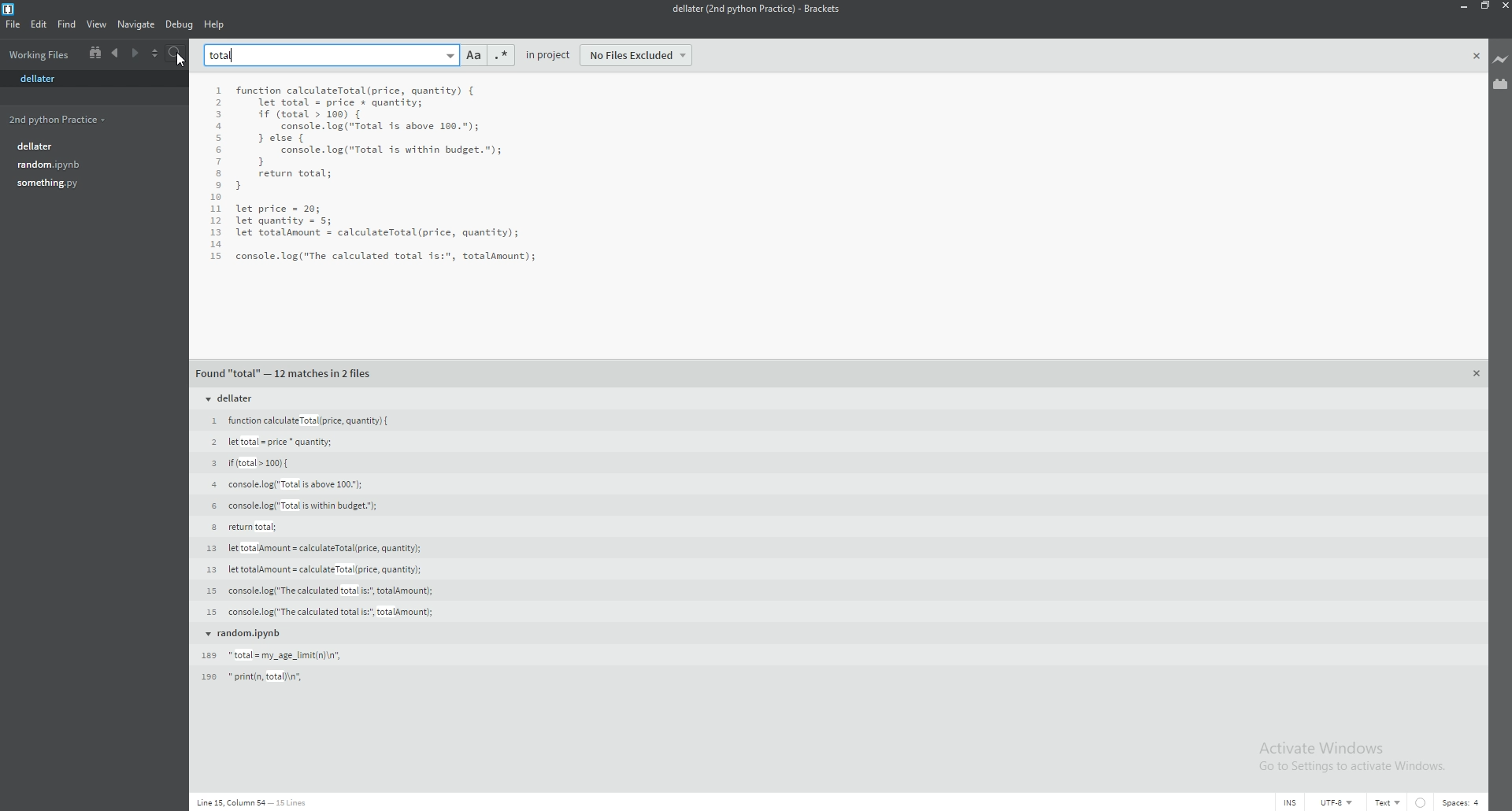  What do you see at coordinates (224, 55) in the screenshot?
I see `total` at bounding box center [224, 55].